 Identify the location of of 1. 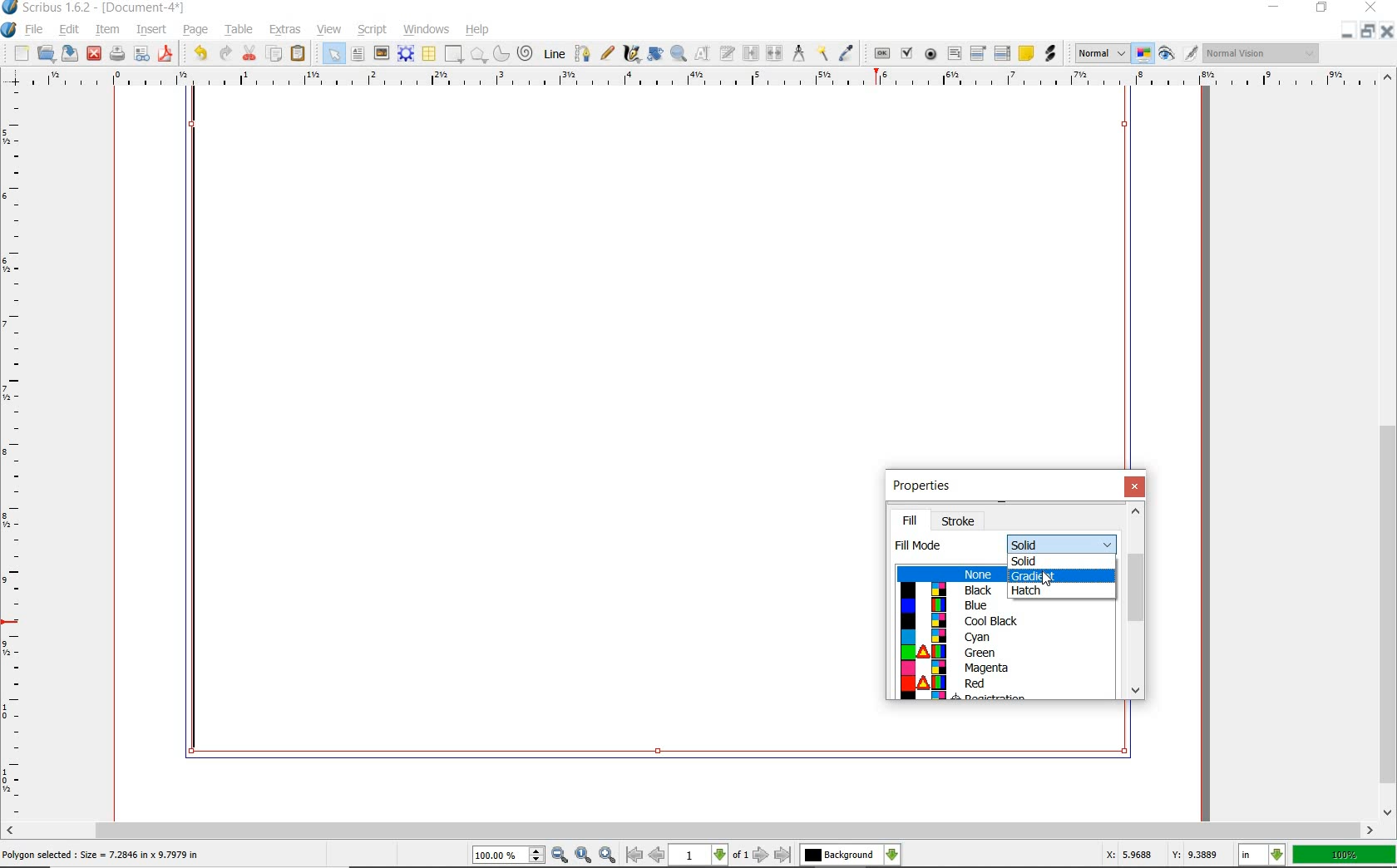
(742, 856).